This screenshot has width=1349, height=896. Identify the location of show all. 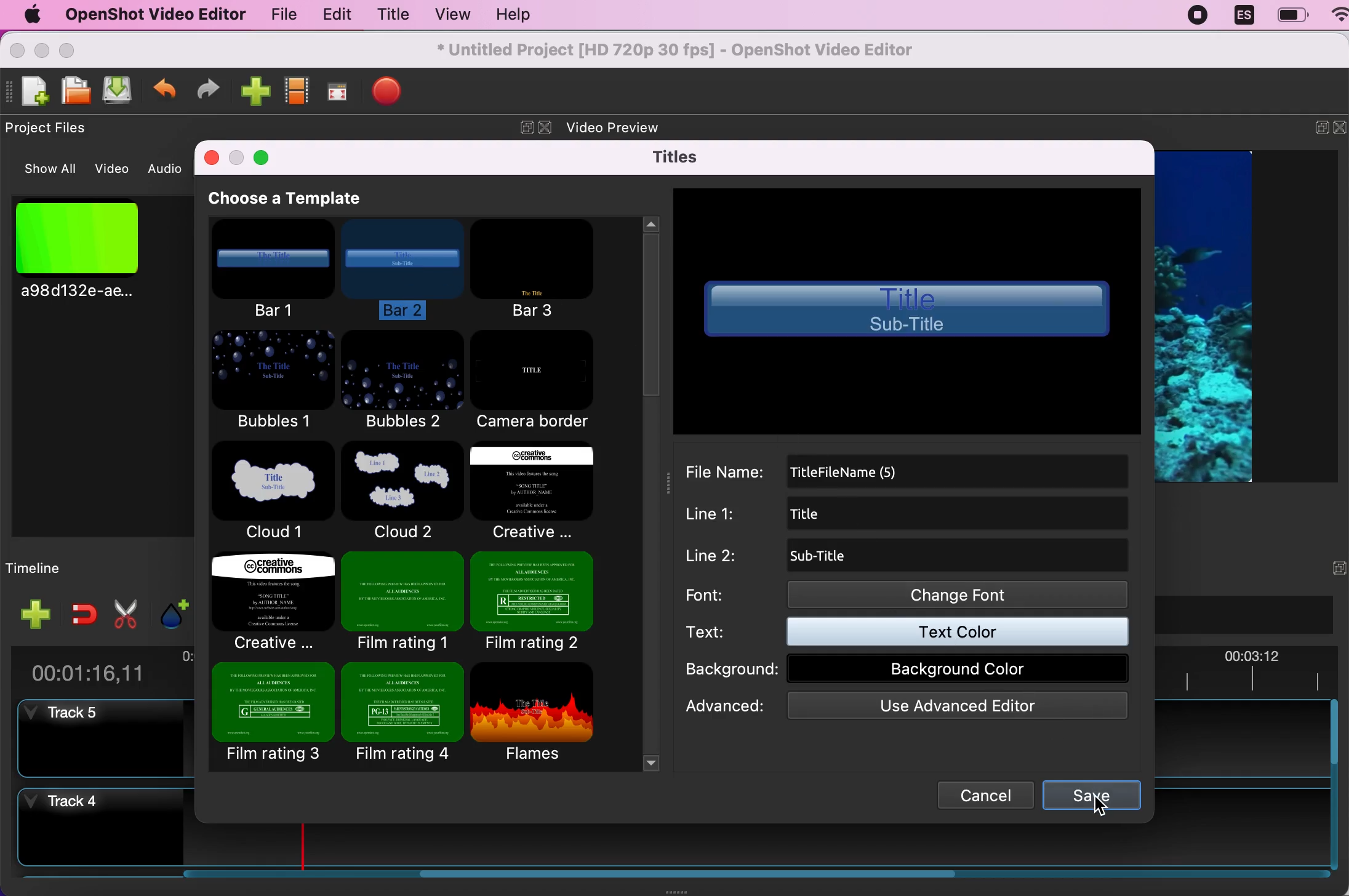
(44, 169).